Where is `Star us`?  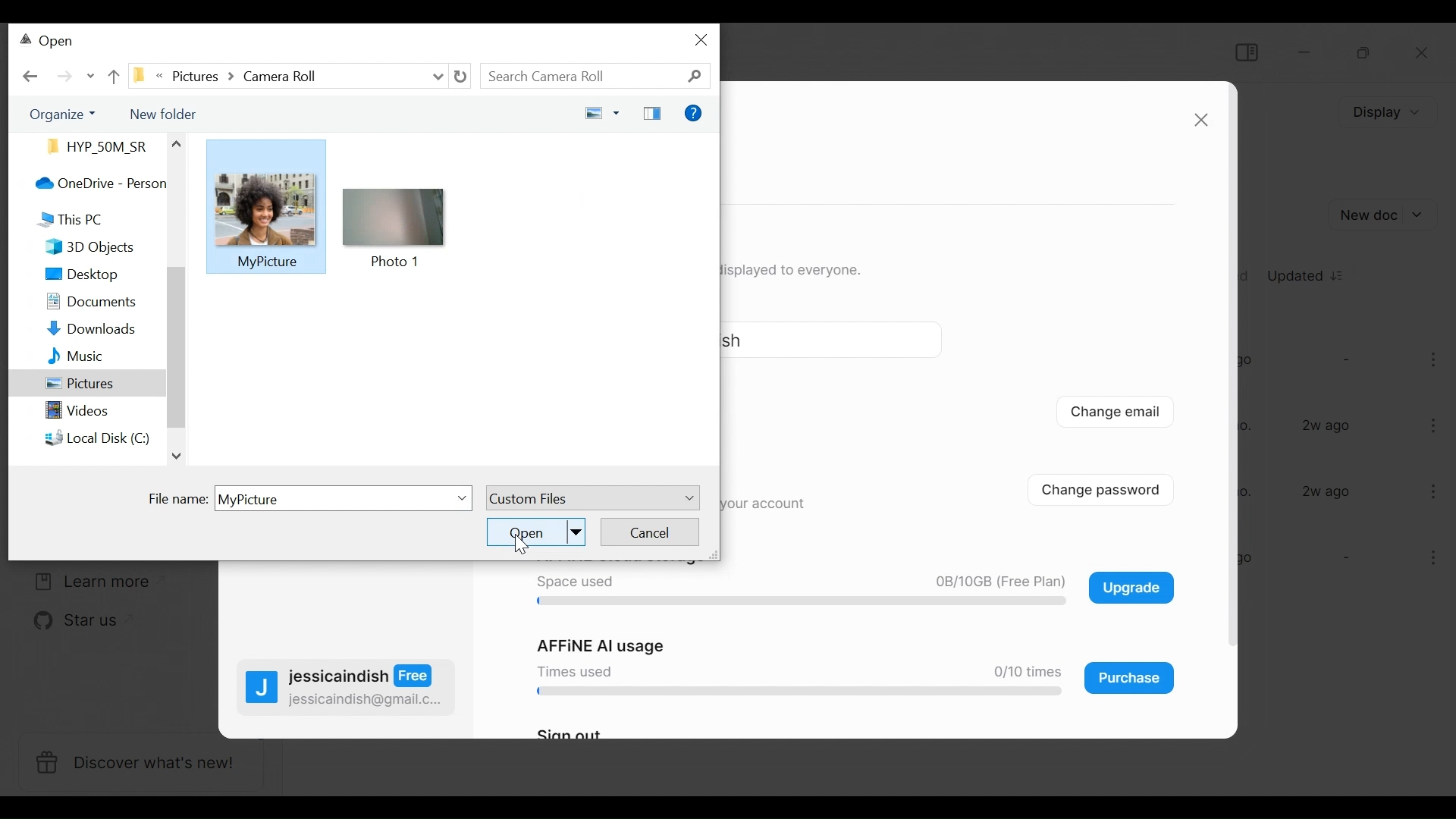
Star us is located at coordinates (67, 622).